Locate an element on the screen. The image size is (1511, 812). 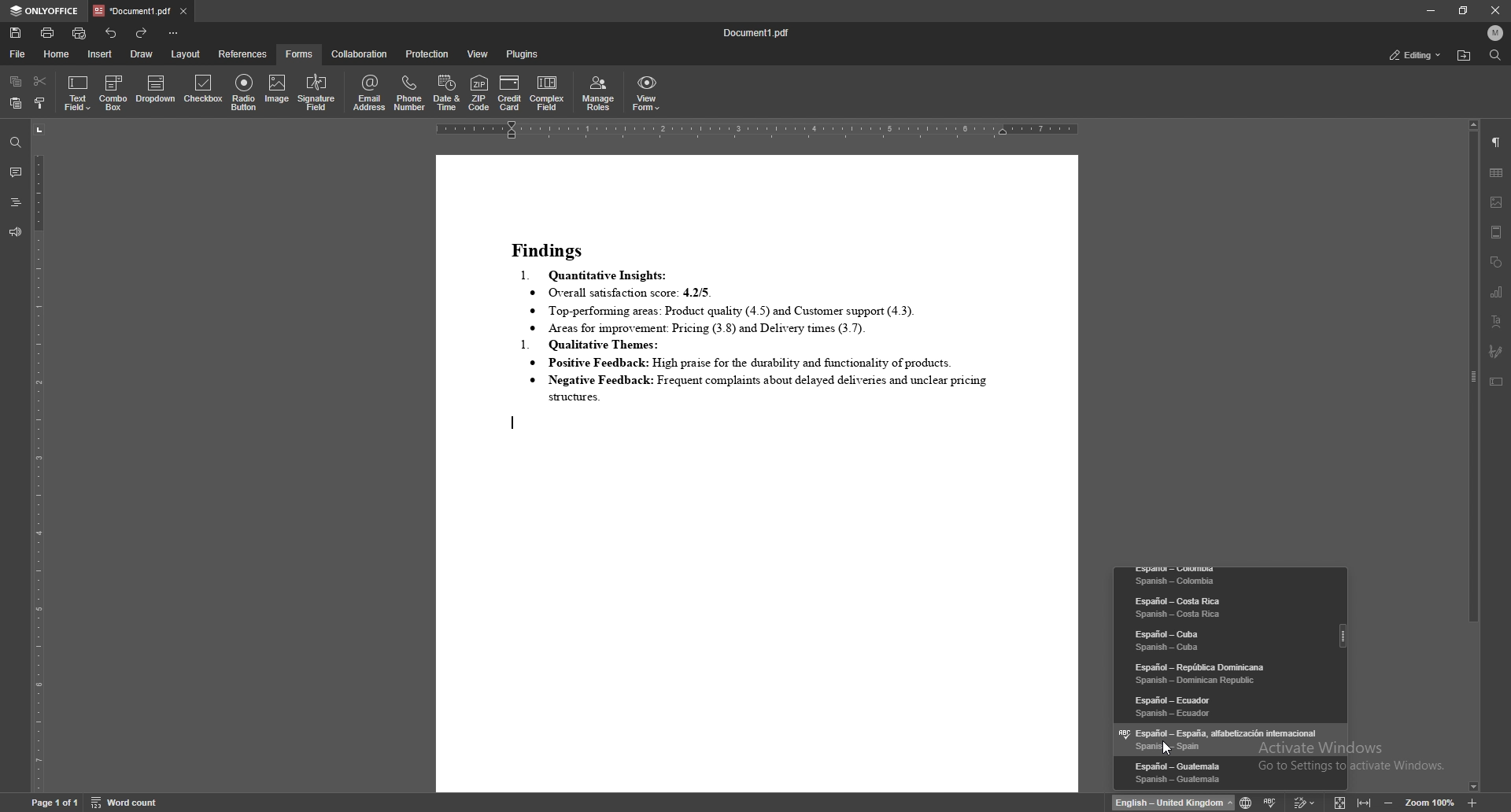
language is located at coordinates (1221, 705).